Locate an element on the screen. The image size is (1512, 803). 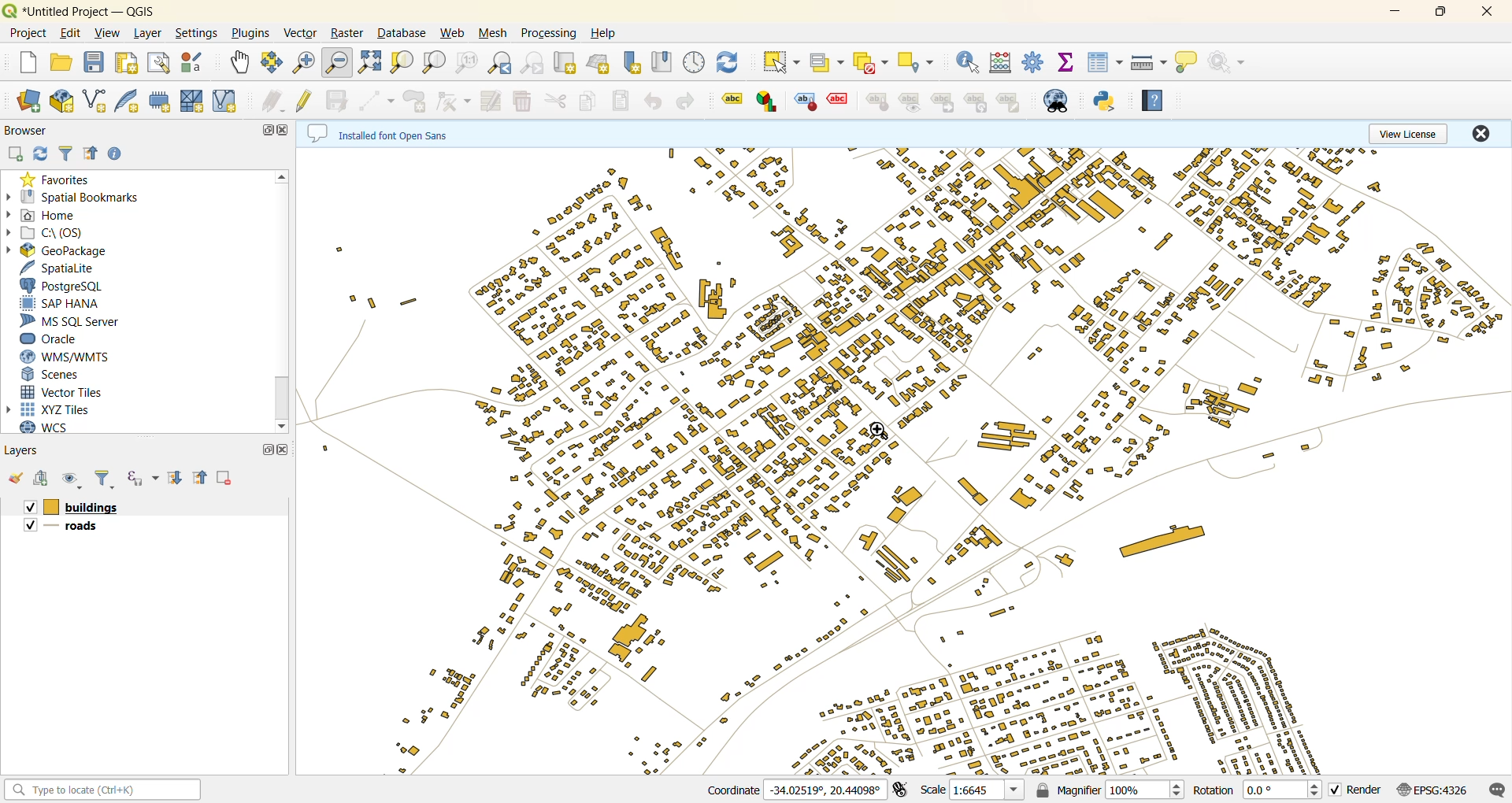
label is located at coordinates (768, 103).